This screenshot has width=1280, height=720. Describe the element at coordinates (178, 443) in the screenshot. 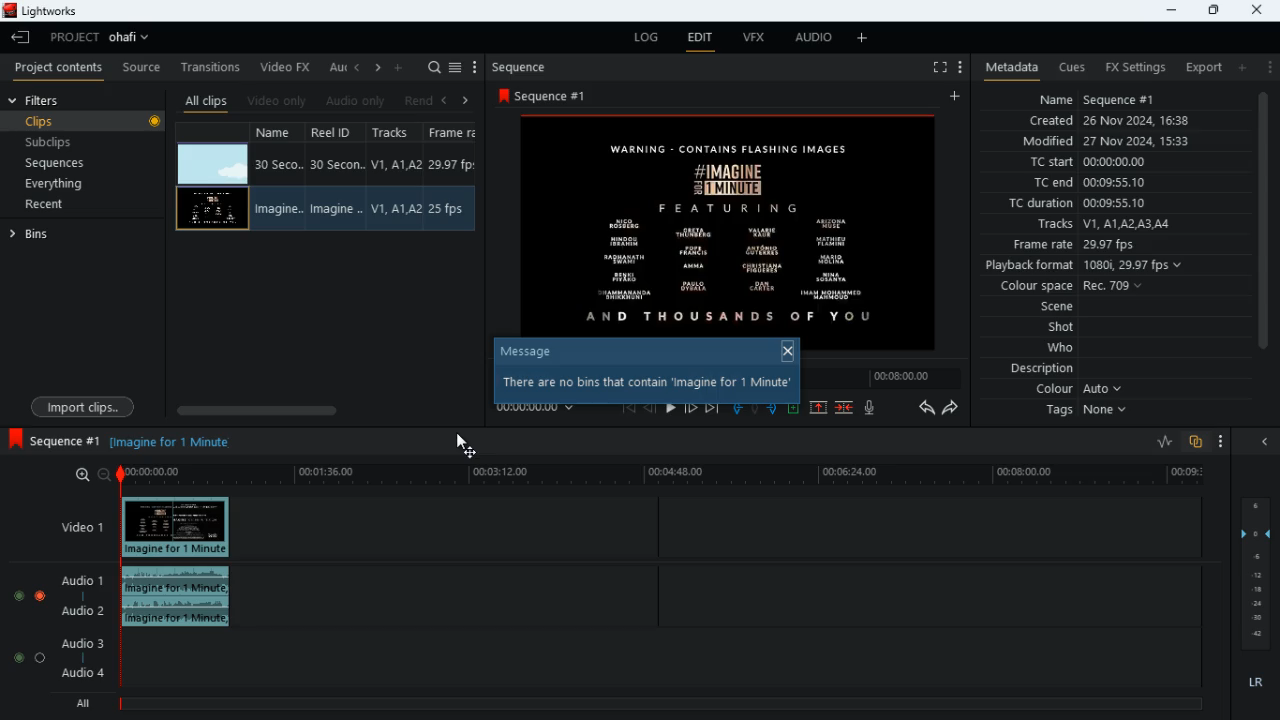

I see `Imagine for 1 Minute` at that location.